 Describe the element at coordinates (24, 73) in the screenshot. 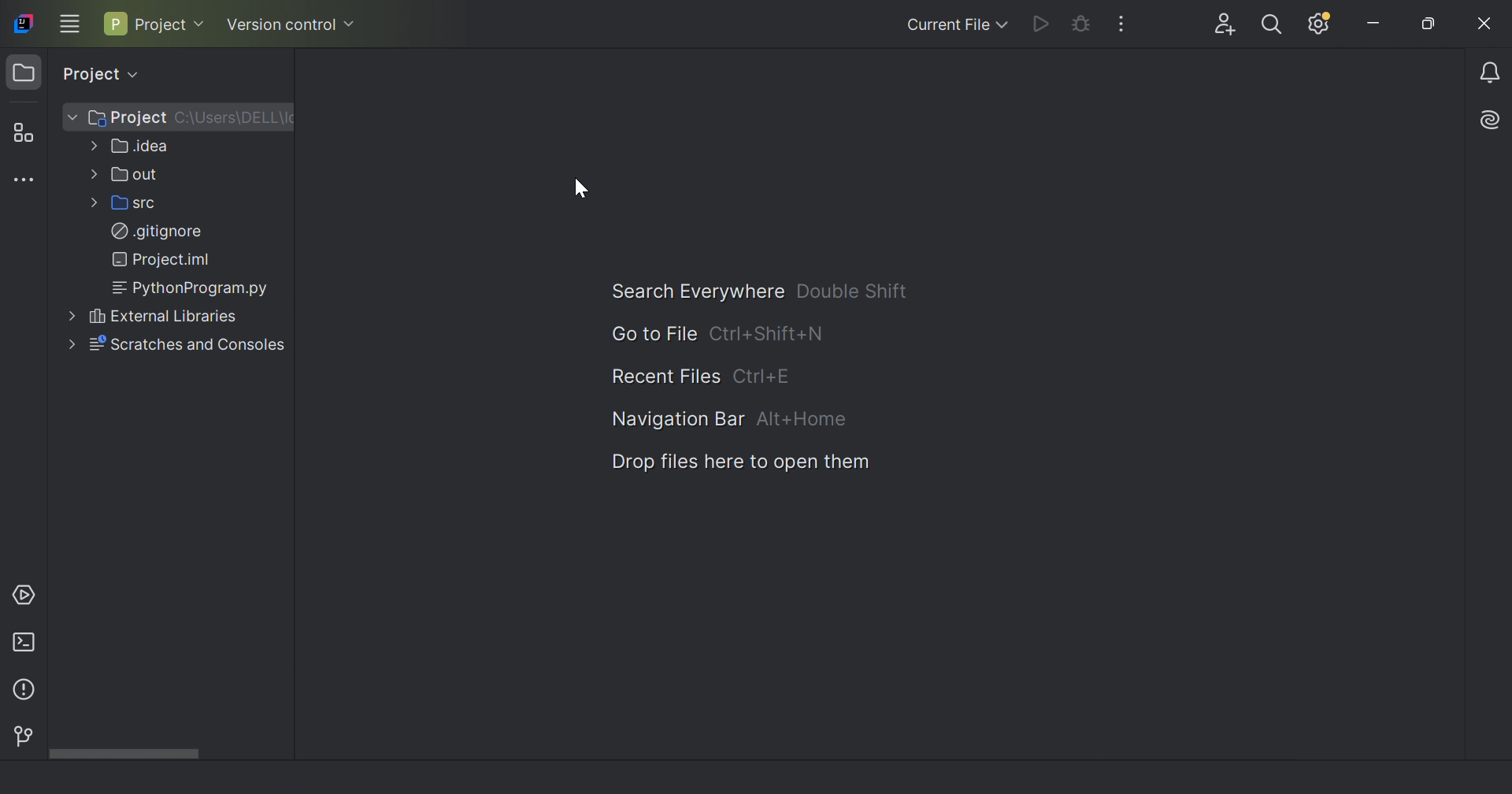

I see `Project` at that location.